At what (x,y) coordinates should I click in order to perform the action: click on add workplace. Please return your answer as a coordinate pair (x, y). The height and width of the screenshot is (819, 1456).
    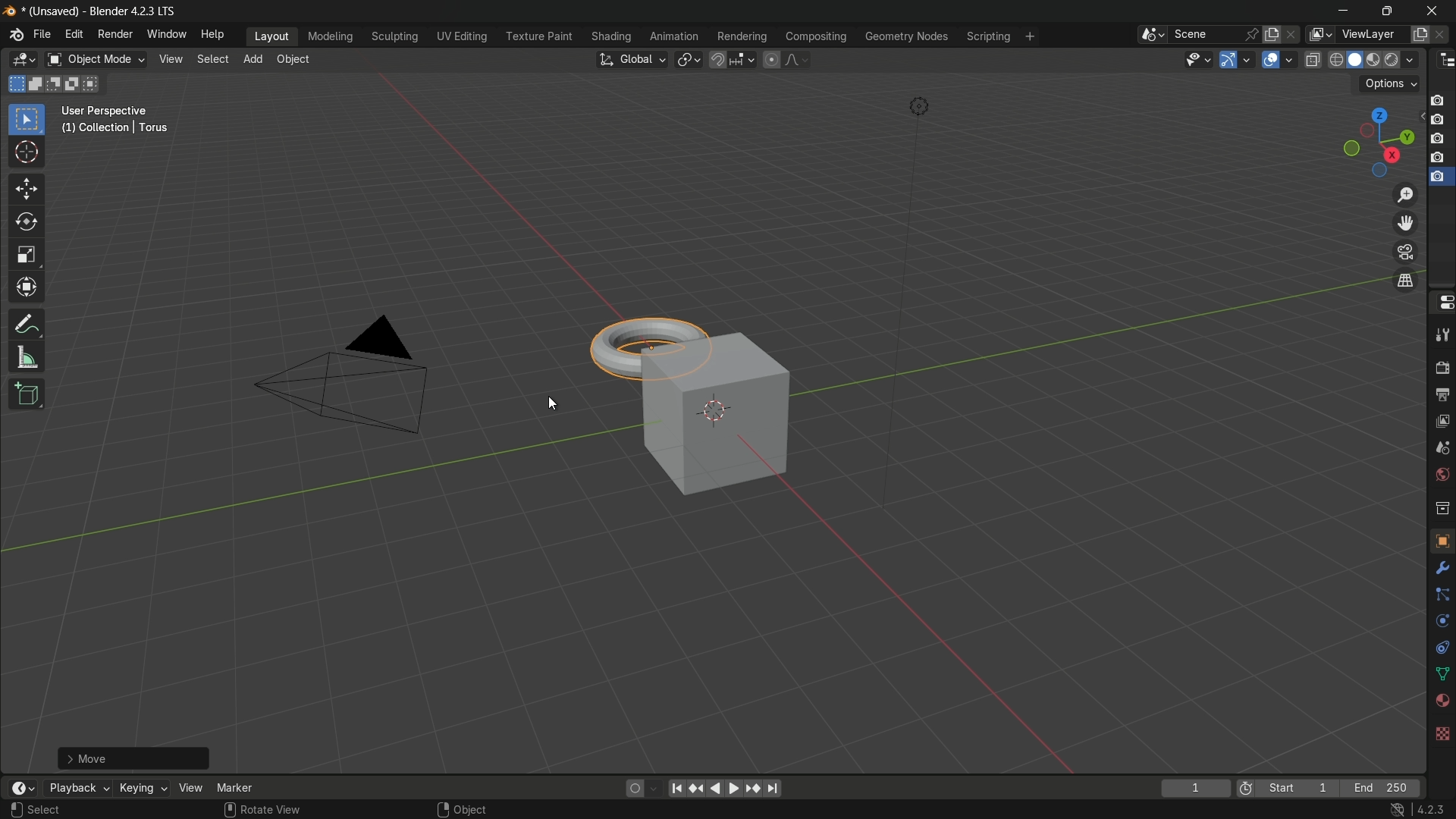
    Looking at the image, I should click on (1030, 36).